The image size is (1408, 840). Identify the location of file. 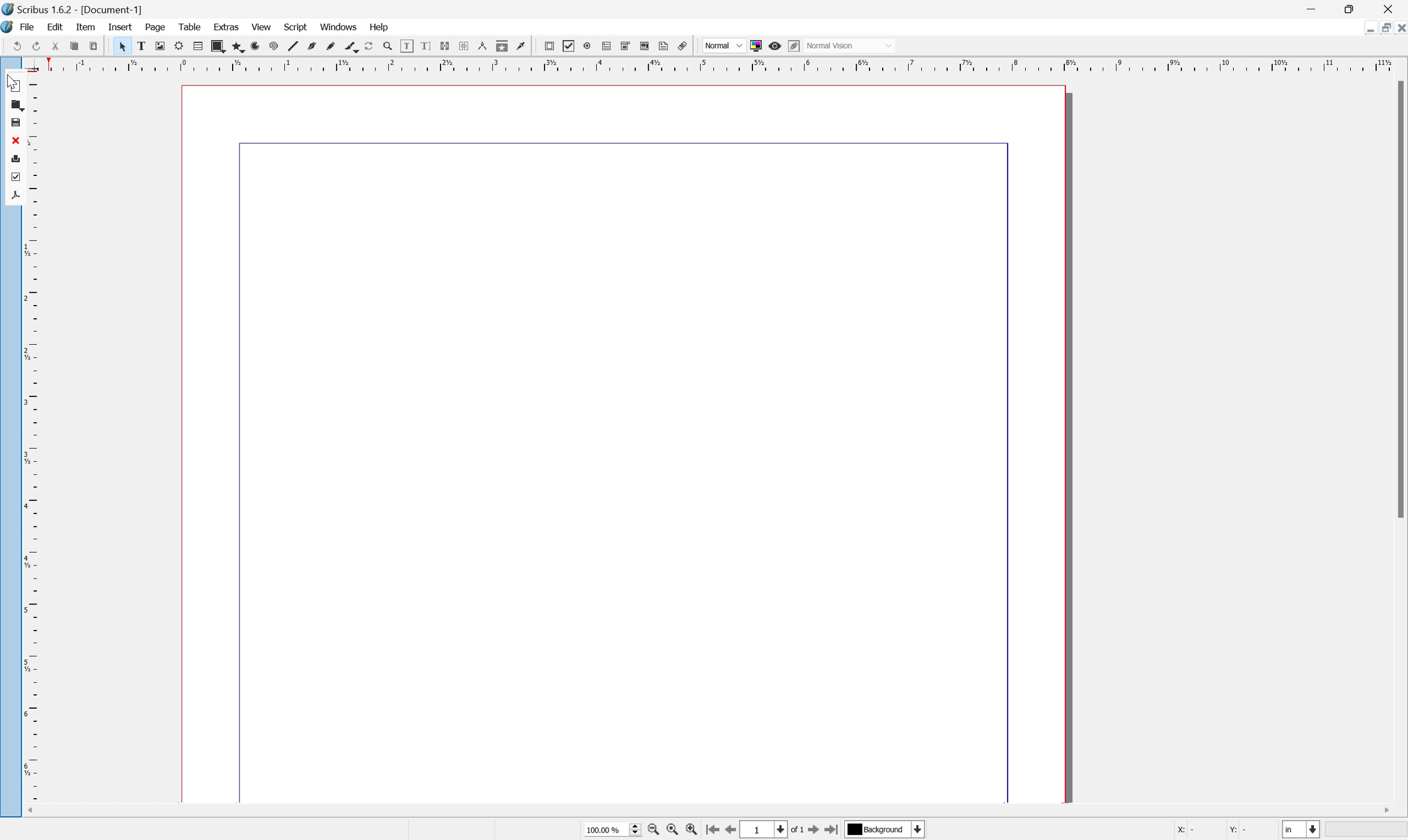
(29, 27).